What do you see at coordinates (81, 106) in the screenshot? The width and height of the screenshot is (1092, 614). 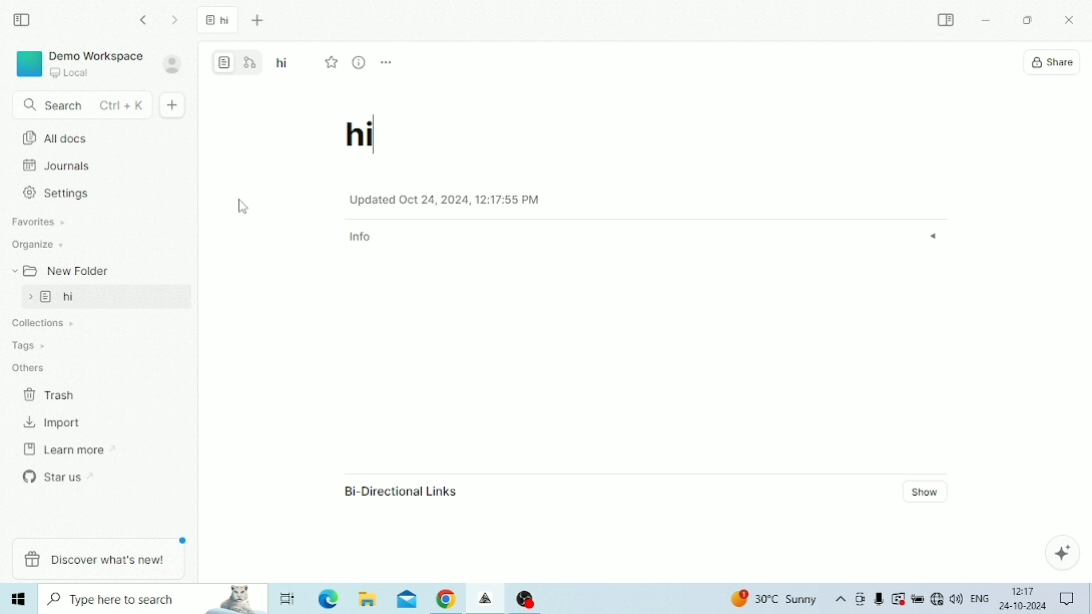 I see `Search` at bounding box center [81, 106].